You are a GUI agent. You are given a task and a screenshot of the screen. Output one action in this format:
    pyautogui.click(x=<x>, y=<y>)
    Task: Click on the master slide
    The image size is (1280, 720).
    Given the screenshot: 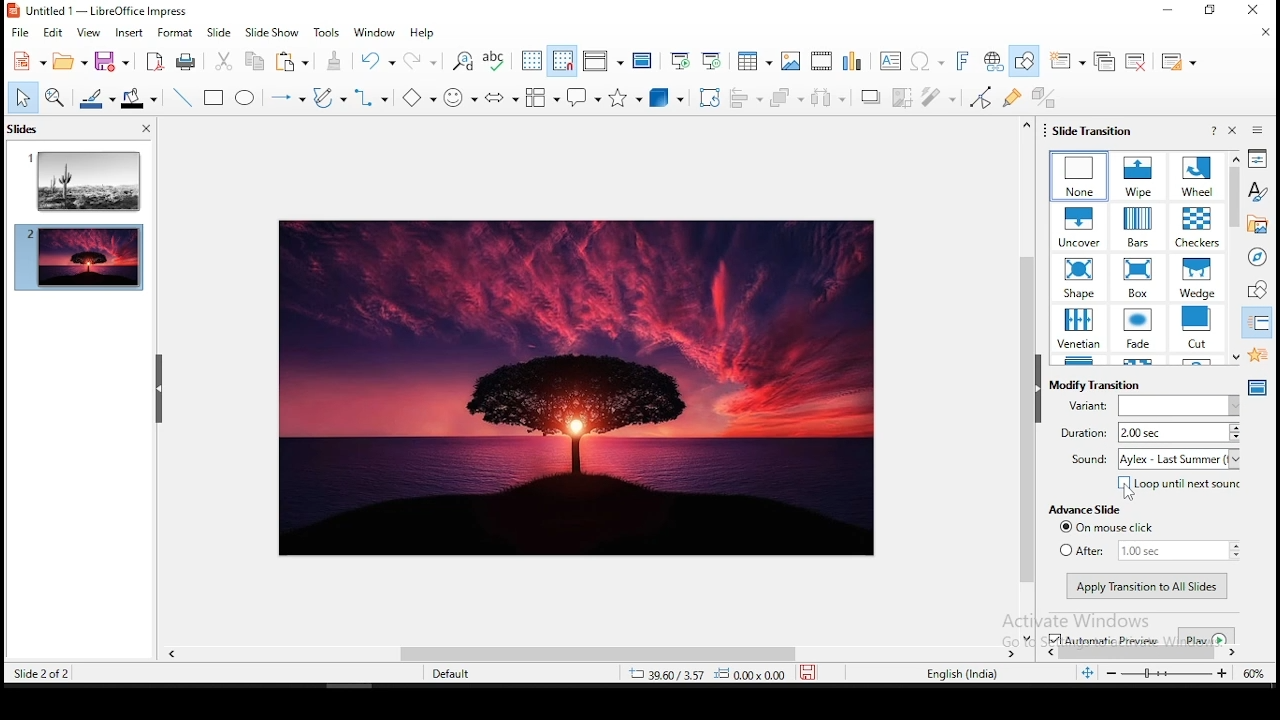 What is the action you would take?
    pyautogui.click(x=643, y=63)
    